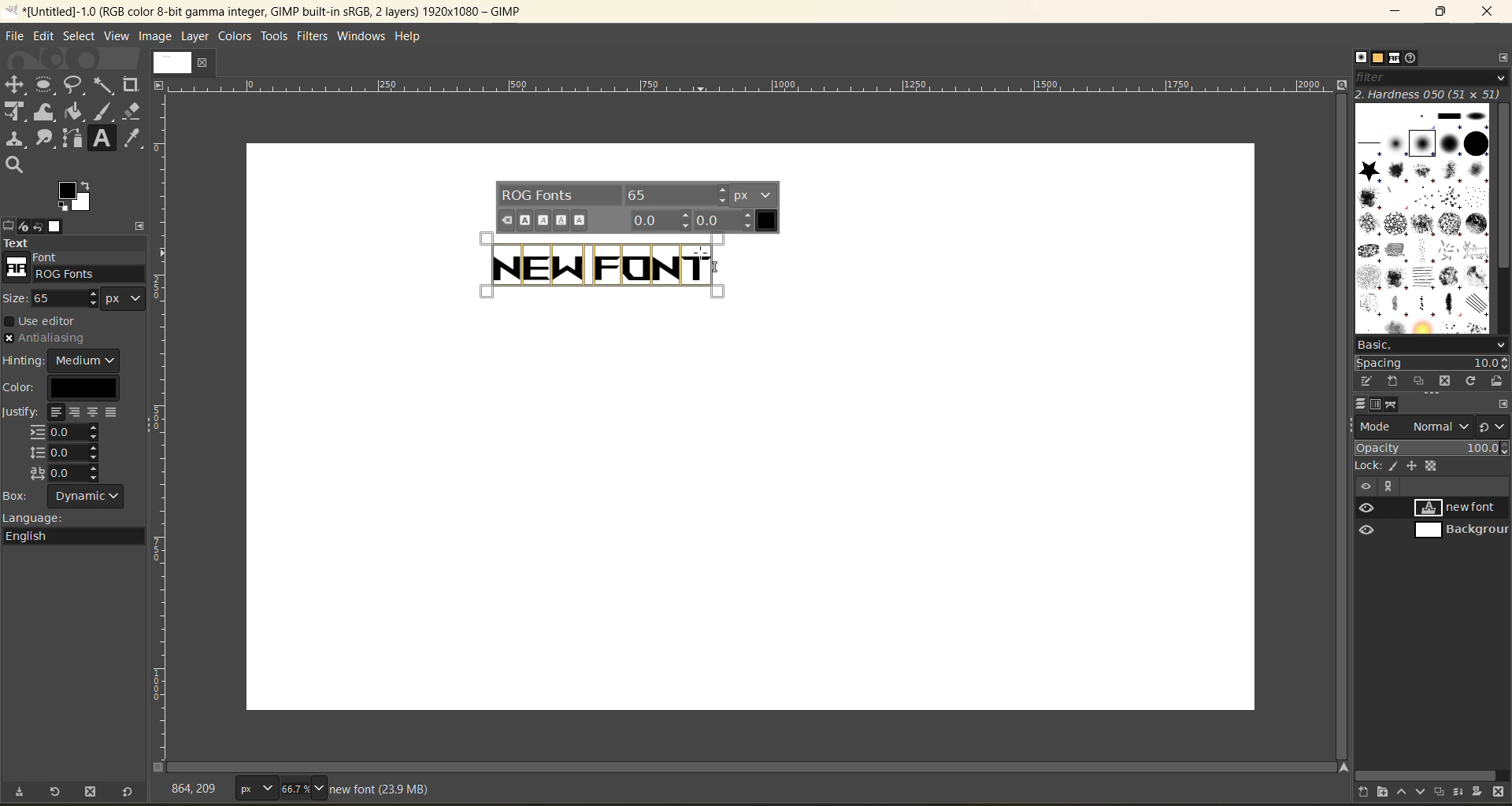 The image size is (1512, 806). What do you see at coordinates (280, 10) in the screenshot?
I see `file name and app name` at bounding box center [280, 10].